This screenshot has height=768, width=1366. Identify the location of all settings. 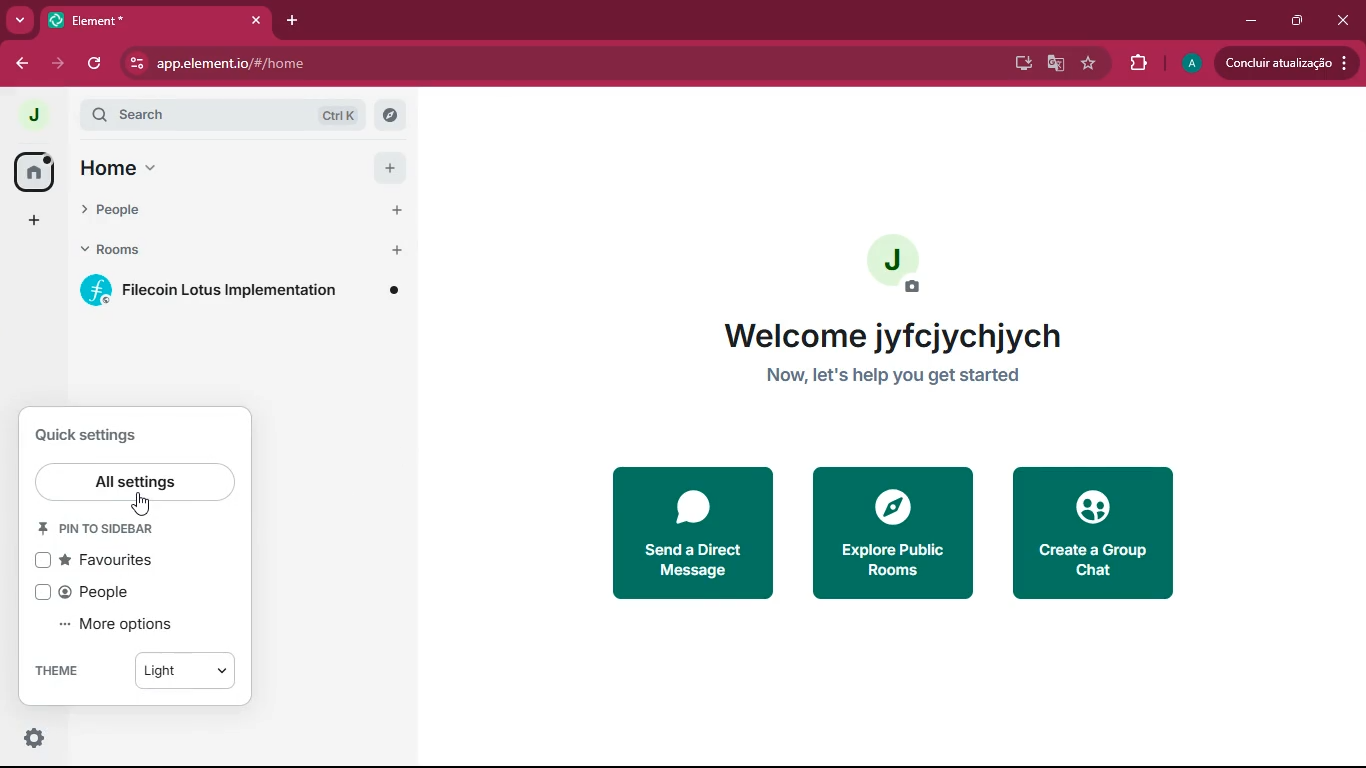
(135, 482).